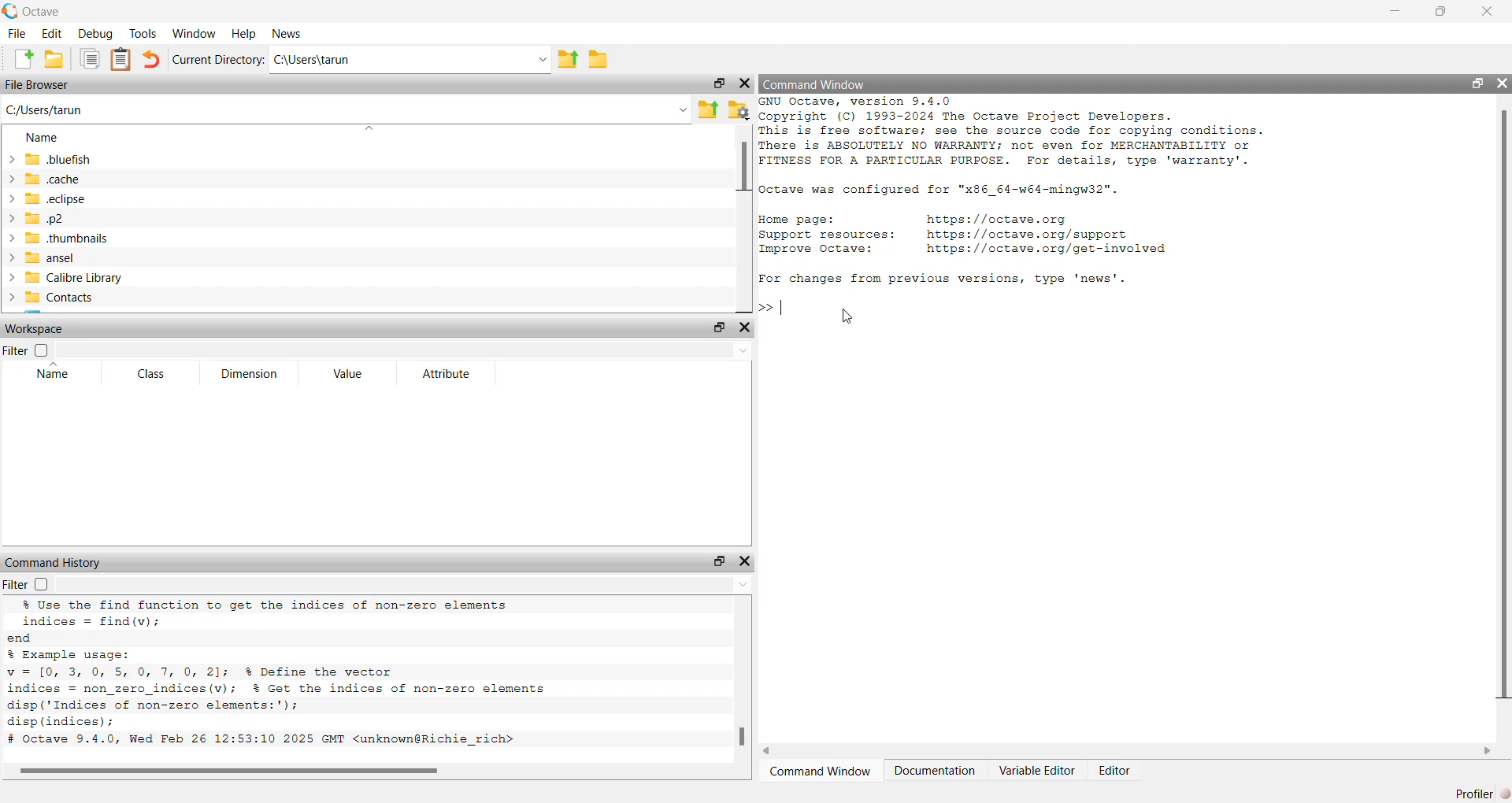 The image size is (1512, 803). Describe the element at coordinates (1503, 81) in the screenshot. I see `close` at that location.